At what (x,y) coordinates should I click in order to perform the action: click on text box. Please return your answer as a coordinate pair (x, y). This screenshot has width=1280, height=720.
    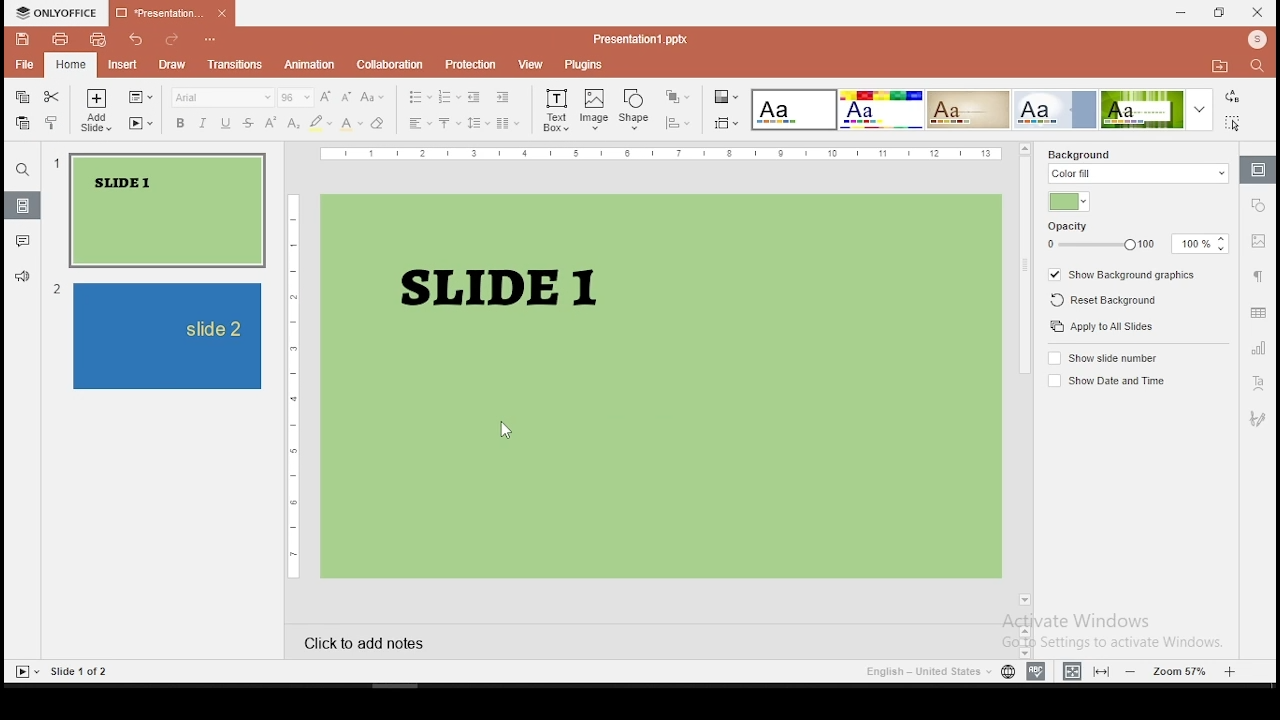
    Looking at the image, I should click on (556, 111).